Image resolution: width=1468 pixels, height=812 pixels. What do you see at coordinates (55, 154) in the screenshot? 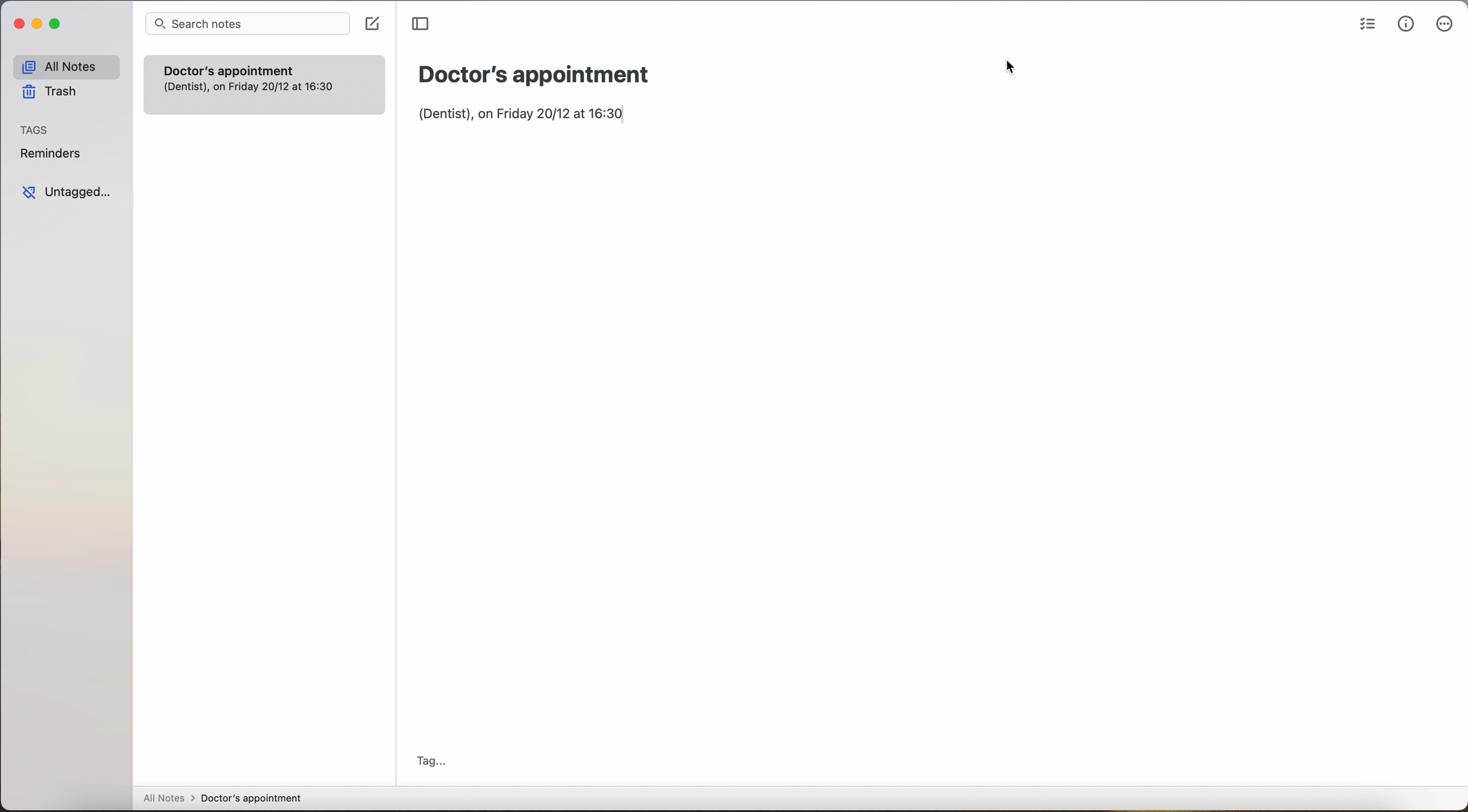
I see `Reminders` at bounding box center [55, 154].